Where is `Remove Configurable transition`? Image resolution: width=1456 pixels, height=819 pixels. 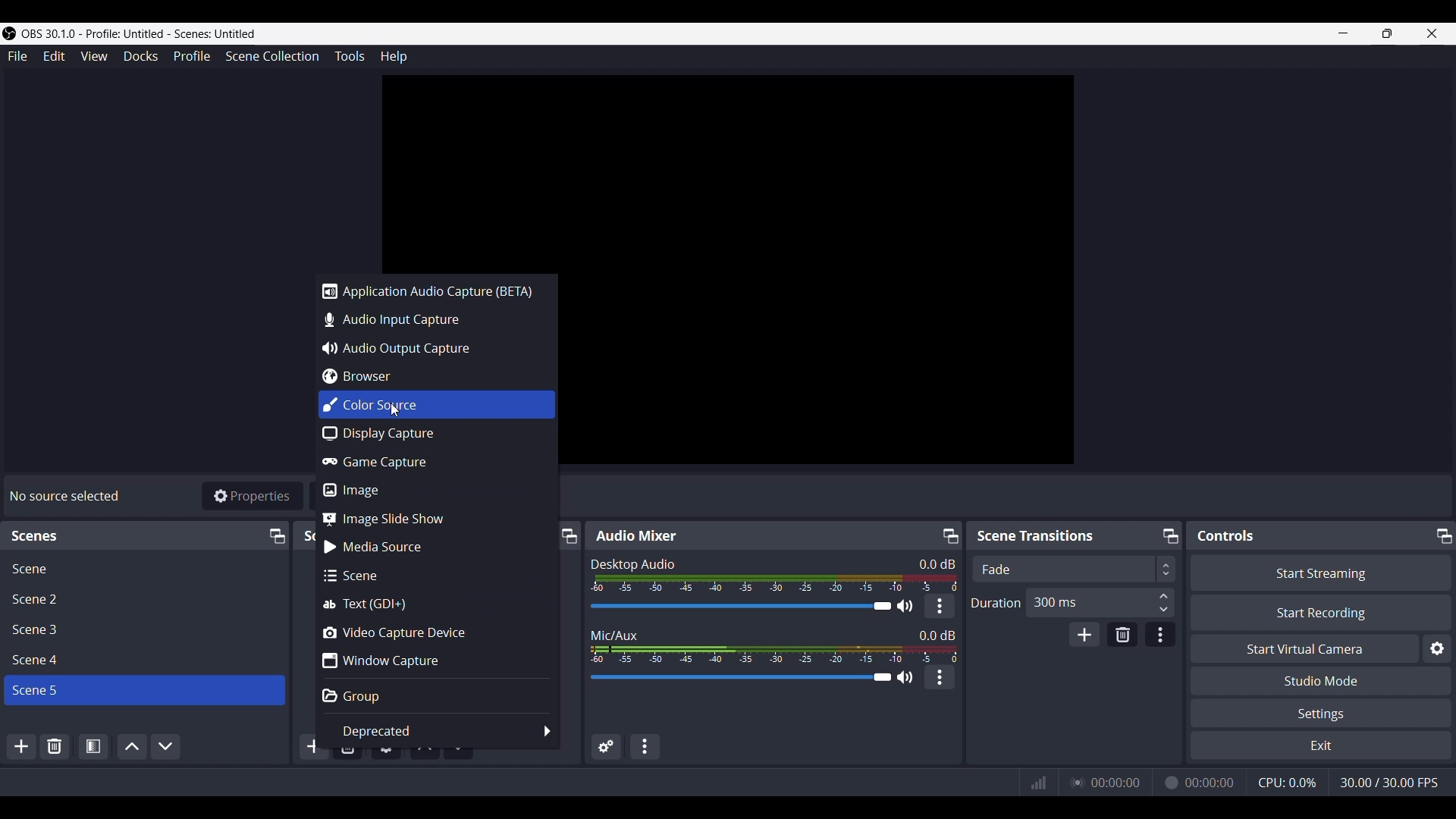
Remove Configurable transition is located at coordinates (1122, 634).